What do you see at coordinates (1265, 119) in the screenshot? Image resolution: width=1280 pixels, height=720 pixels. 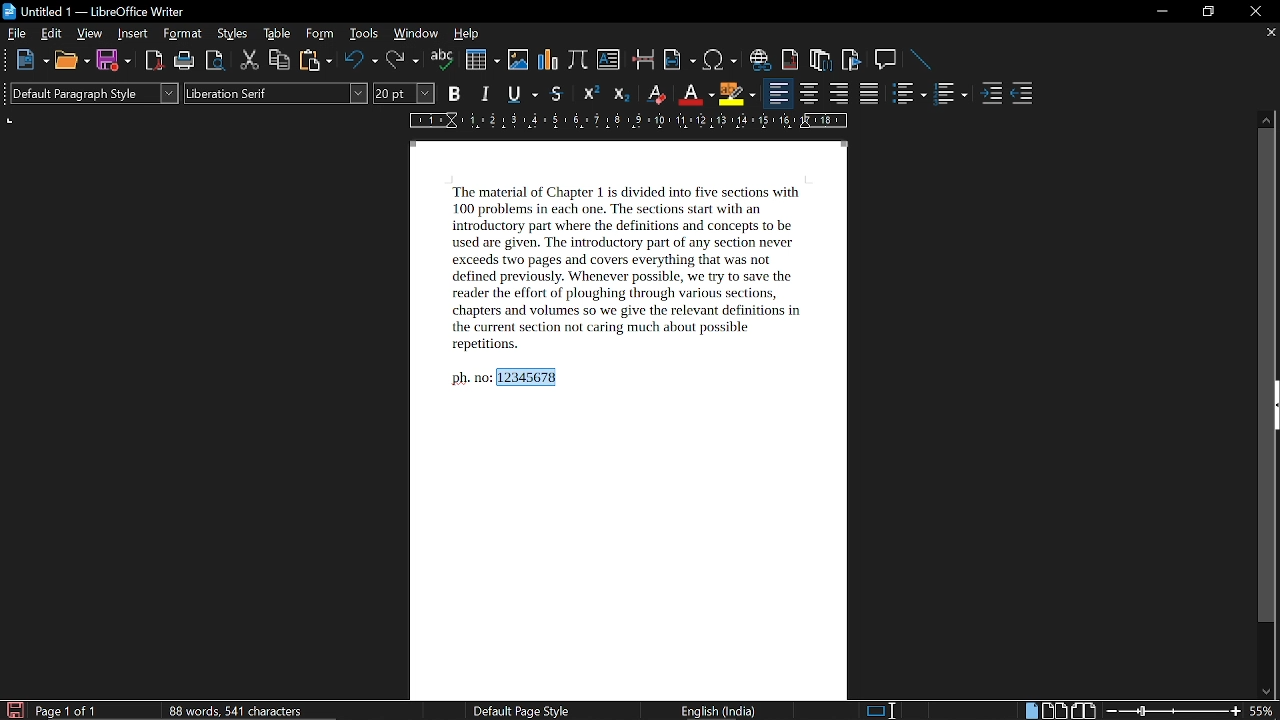 I see `move up` at bounding box center [1265, 119].